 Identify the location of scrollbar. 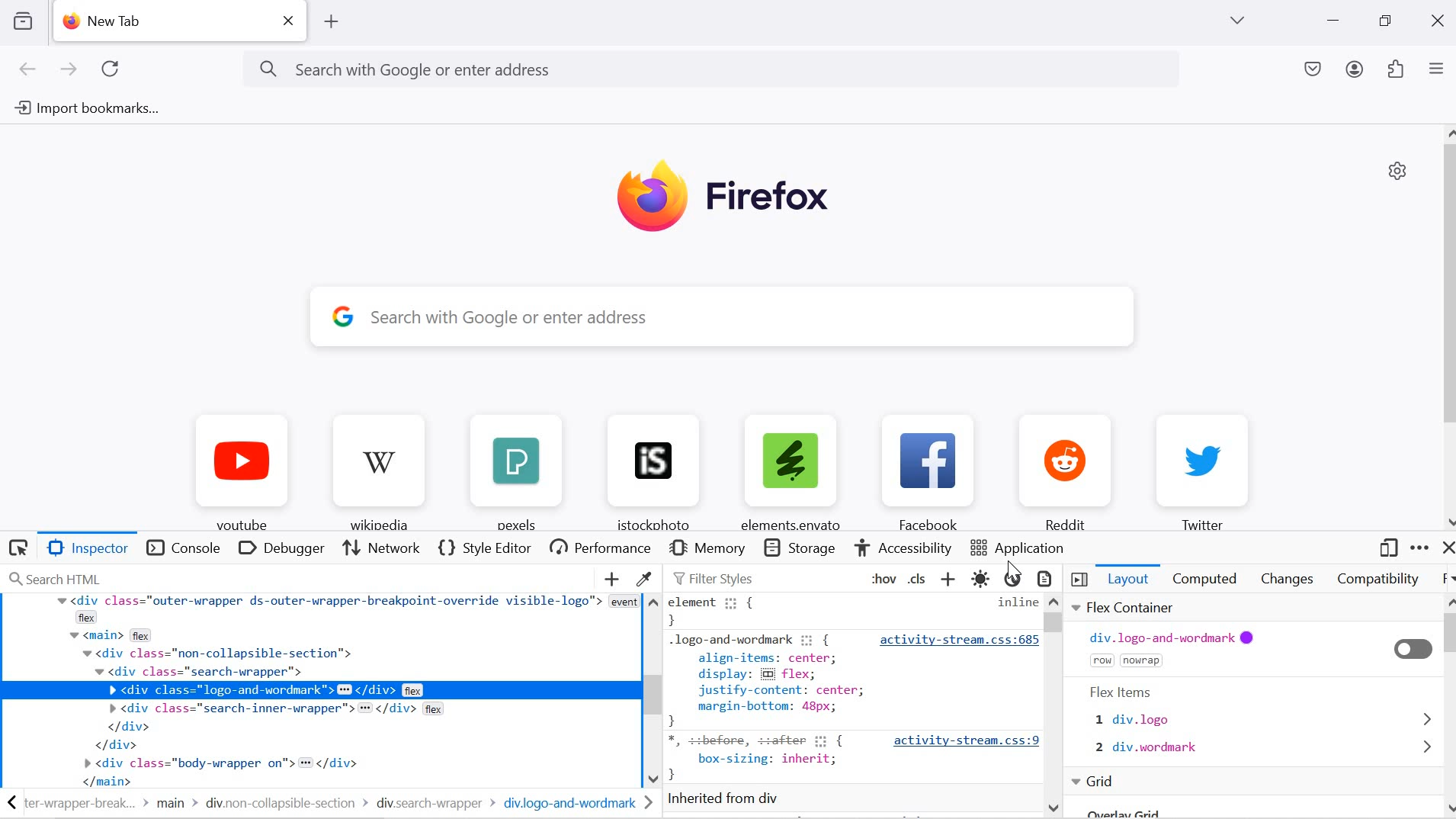
(652, 695).